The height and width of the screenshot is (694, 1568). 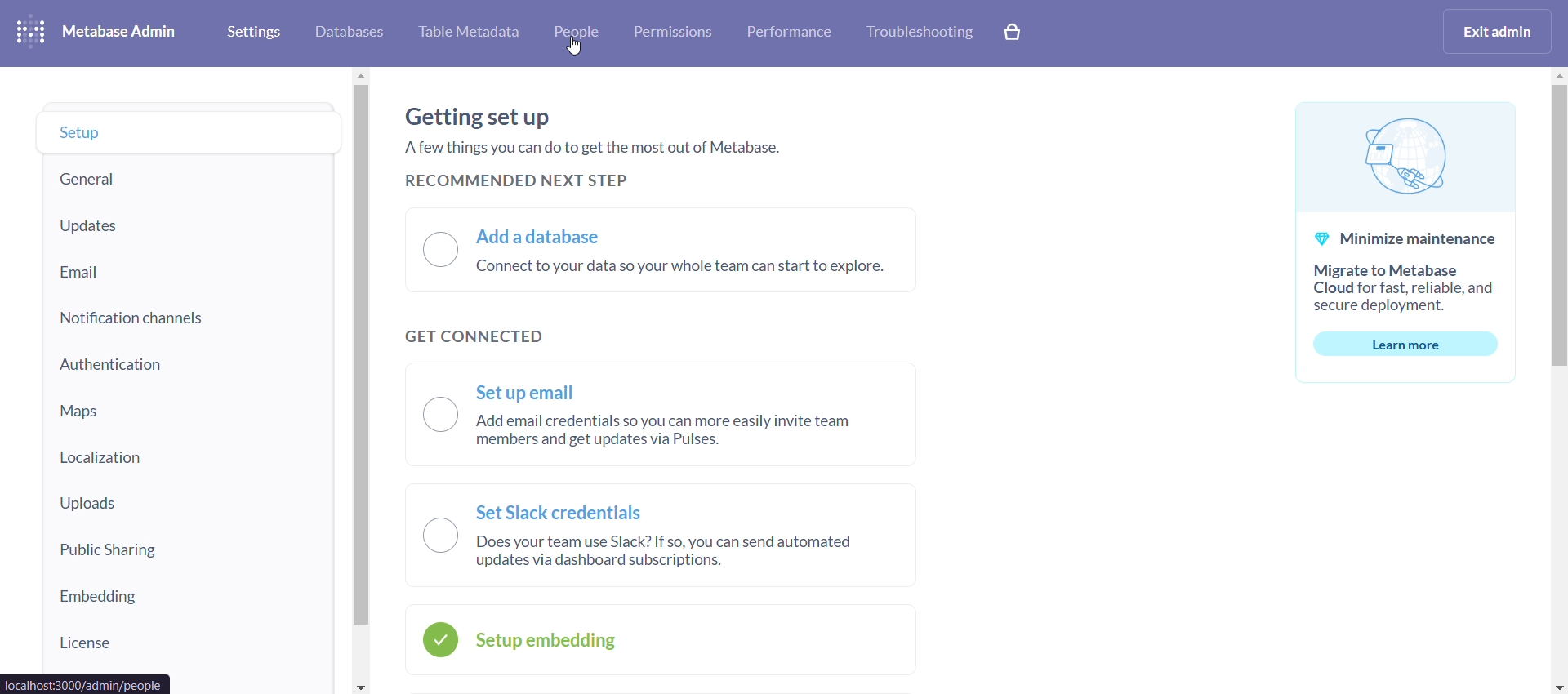 I want to click on performance, so click(x=789, y=31).